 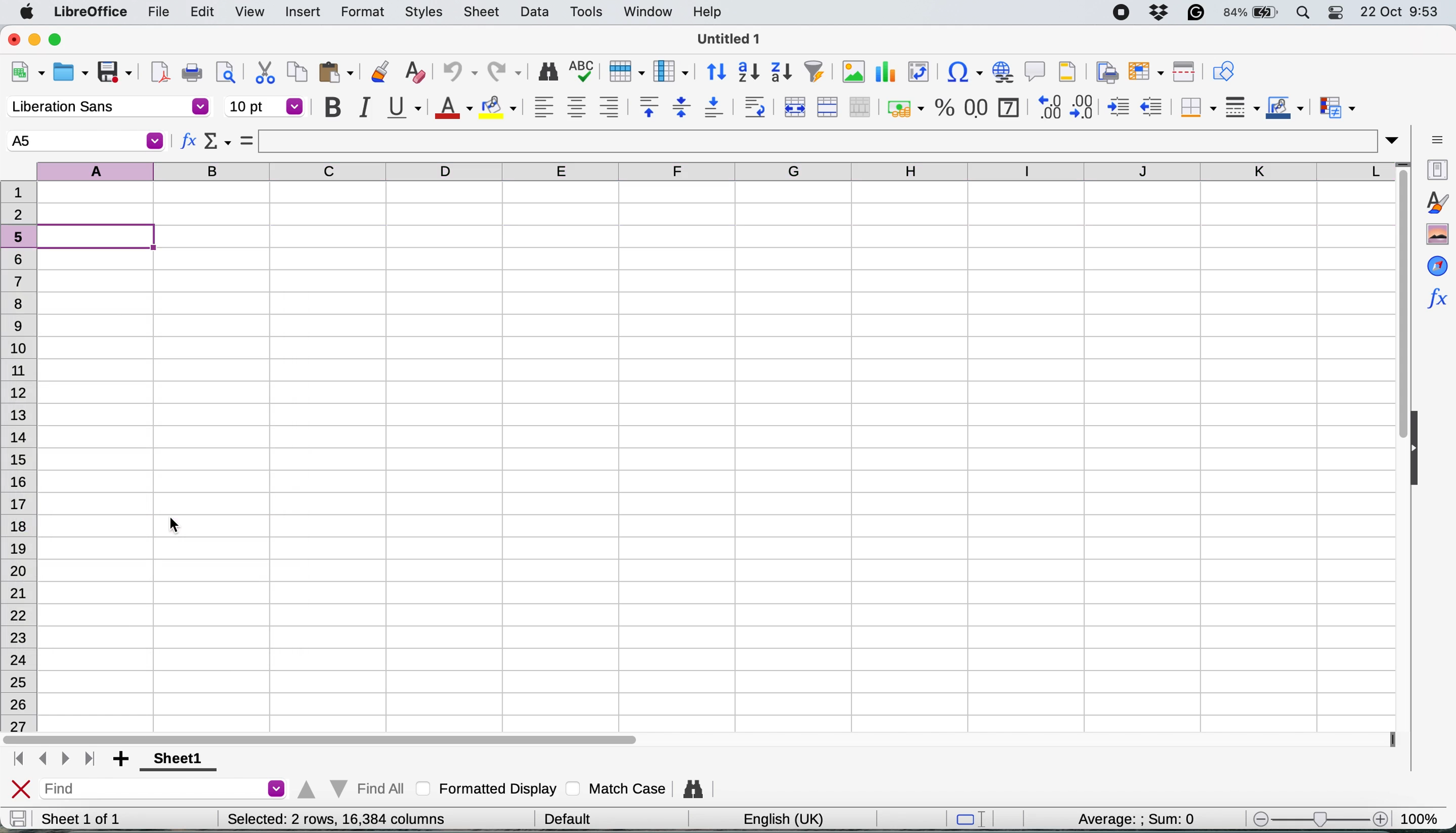 What do you see at coordinates (303, 13) in the screenshot?
I see `insert` at bounding box center [303, 13].